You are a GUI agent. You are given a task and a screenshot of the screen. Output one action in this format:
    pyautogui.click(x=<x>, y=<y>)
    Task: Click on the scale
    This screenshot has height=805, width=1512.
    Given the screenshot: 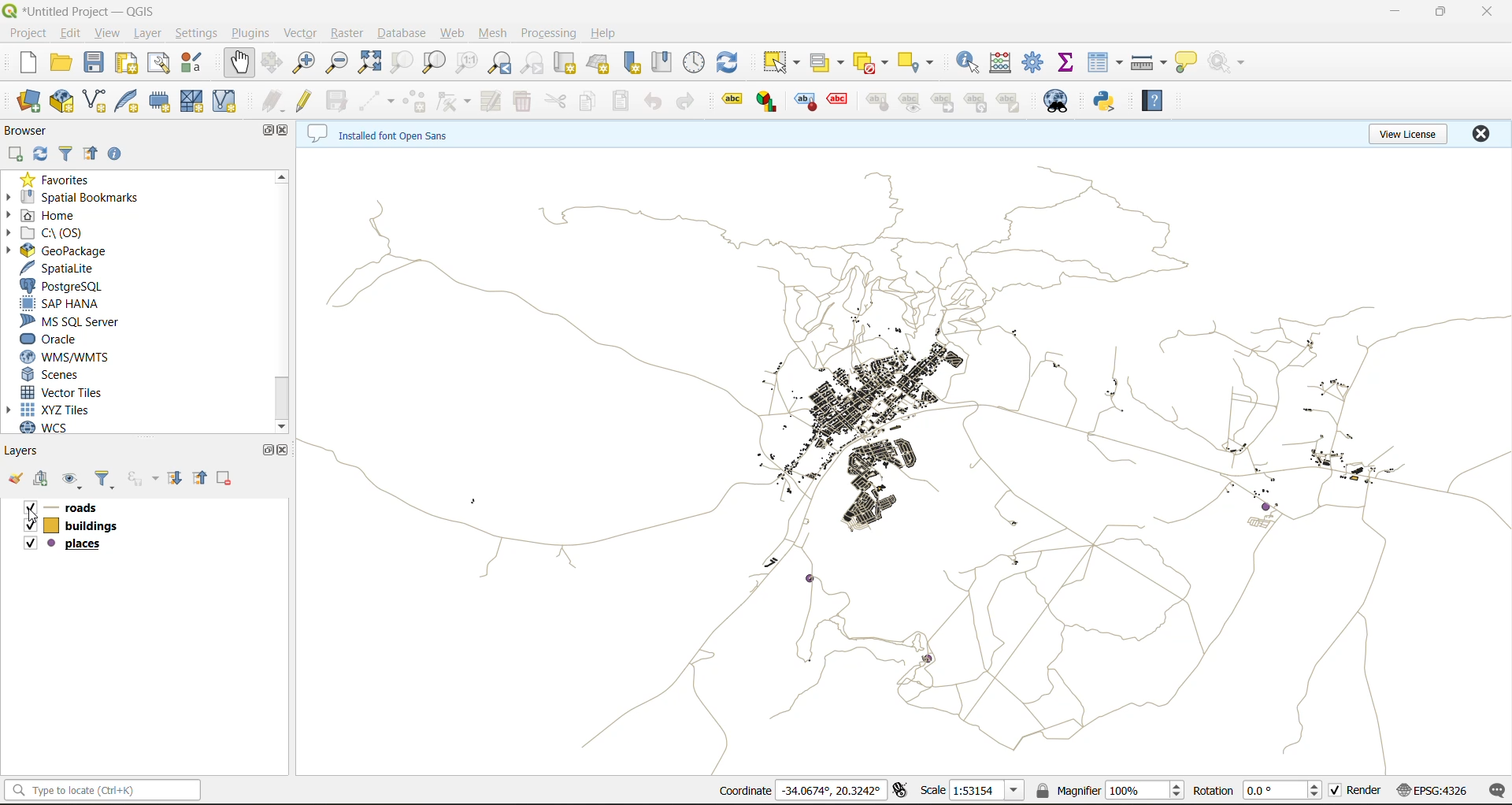 What is the action you would take?
    pyautogui.click(x=972, y=791)
    